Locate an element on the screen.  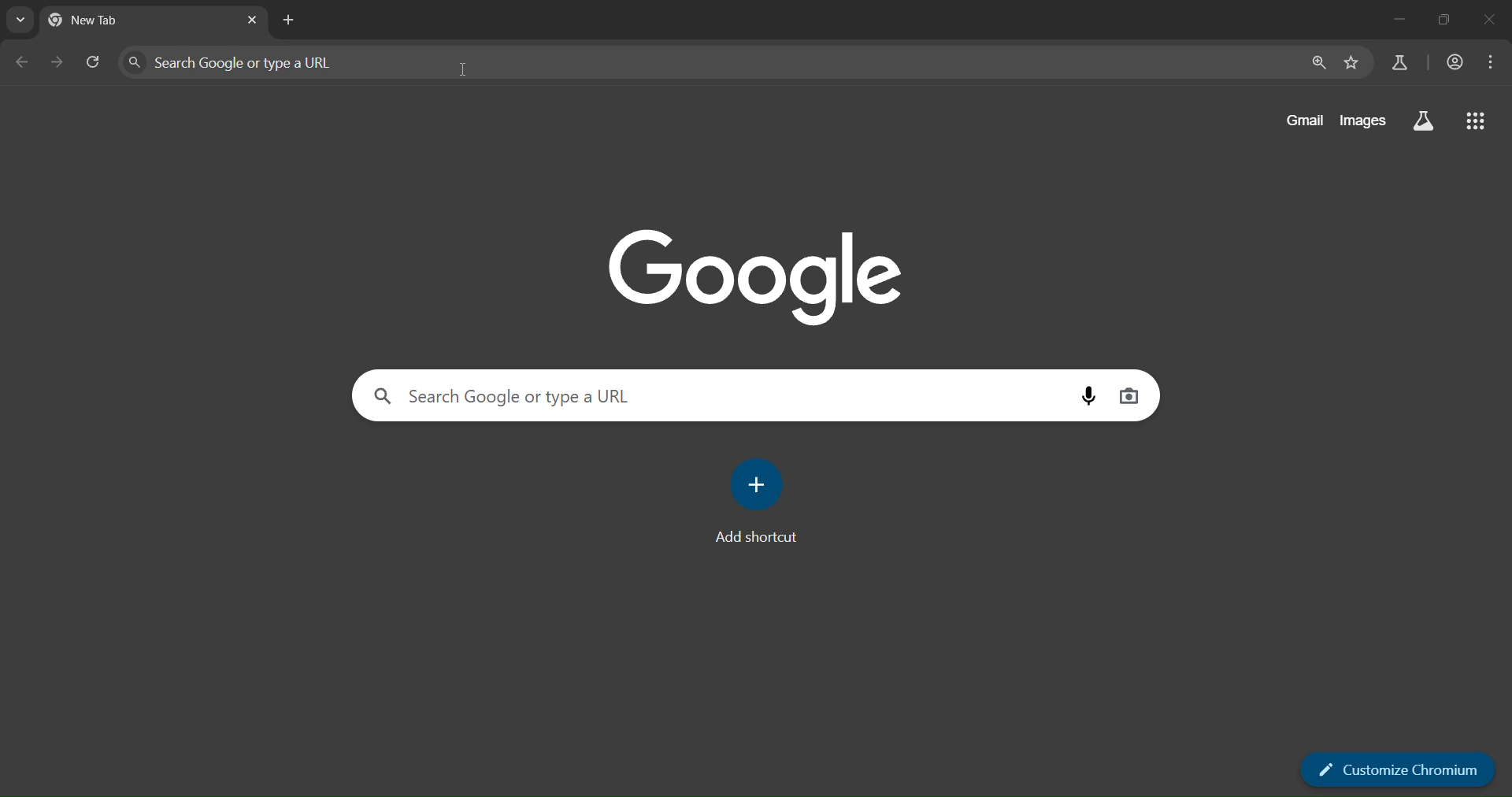
images is located at coordinates (1366, 119).